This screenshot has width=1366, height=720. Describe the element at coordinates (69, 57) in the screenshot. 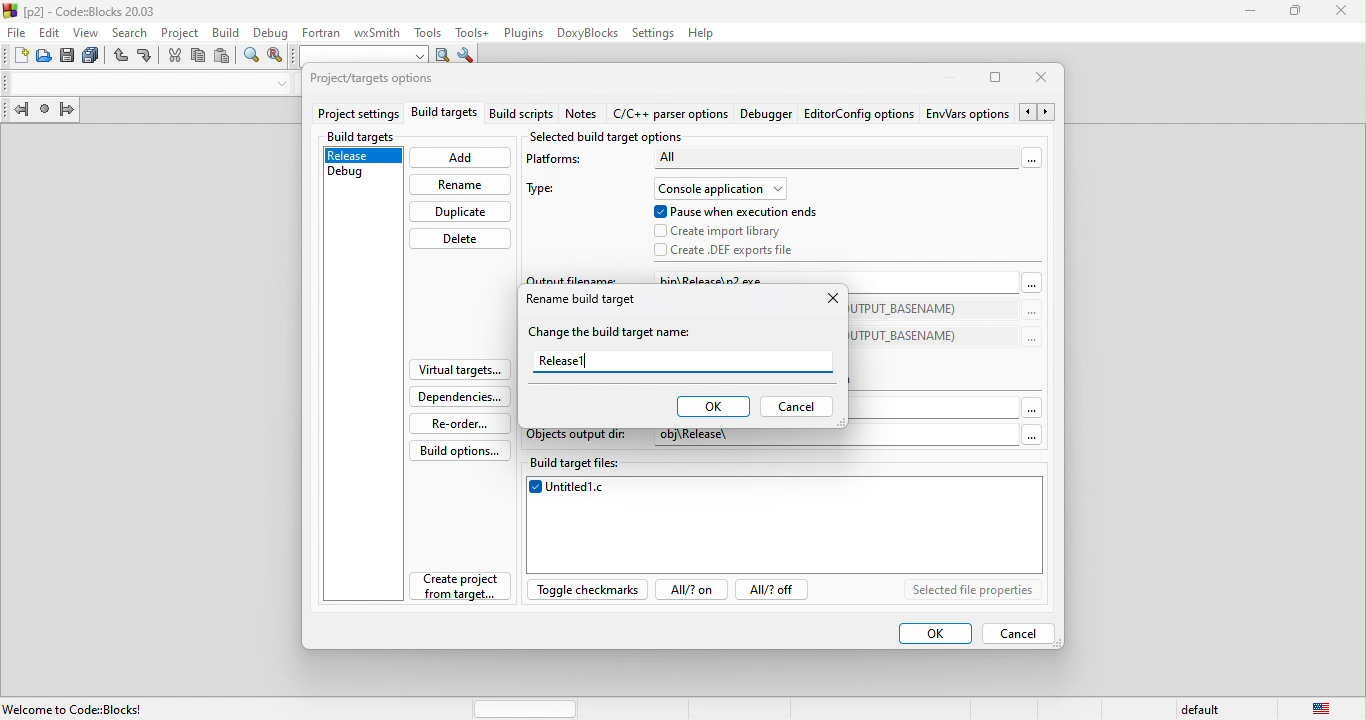

I see `save` at that location.